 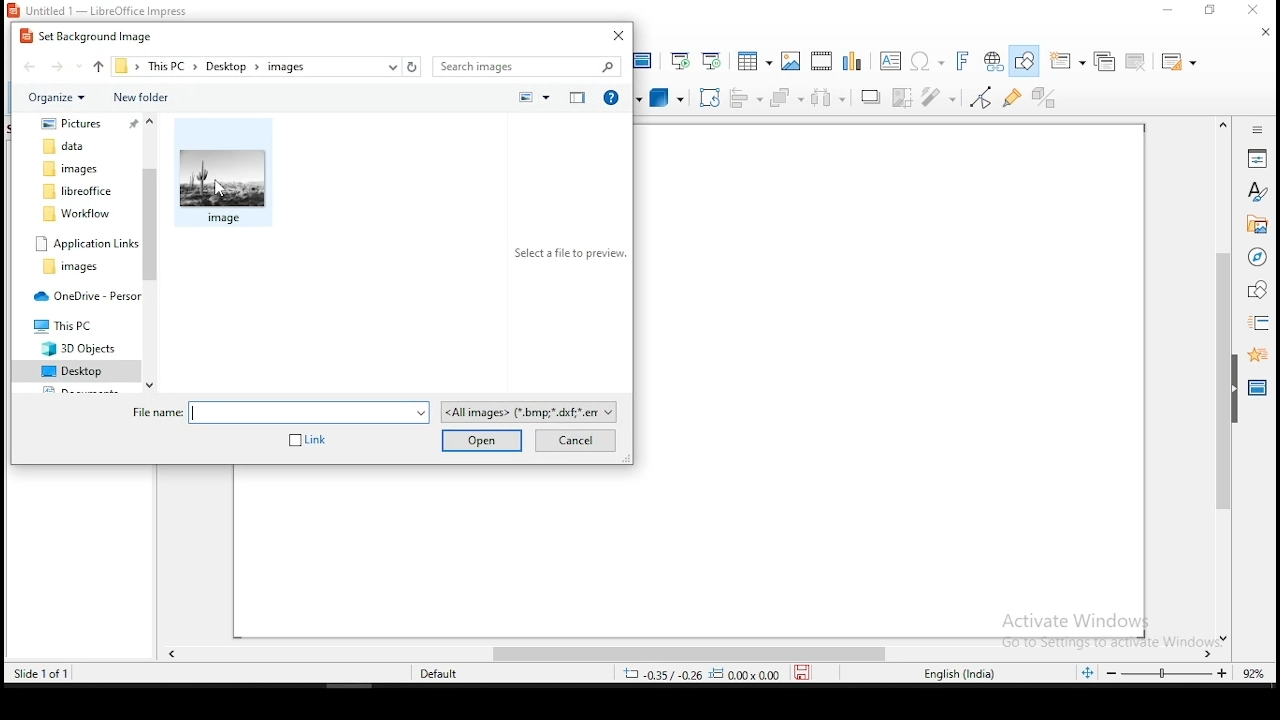 What do you see at coordinates (1258, 355) in the screenshot?
I see `animation` at bounding box center [1258, 355].